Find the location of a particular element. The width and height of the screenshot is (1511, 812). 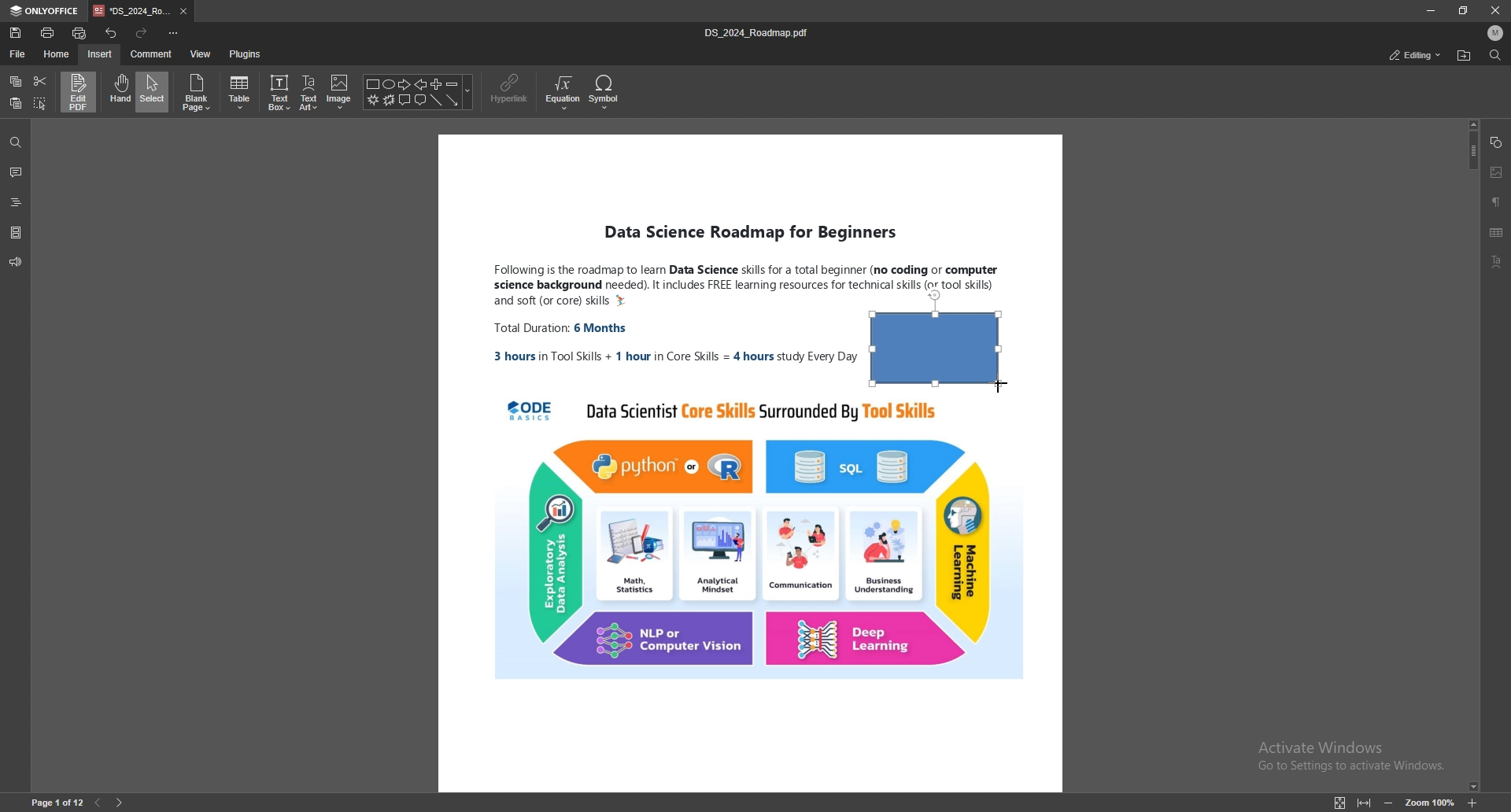

fit to page is located at coordinates (1339, 803).